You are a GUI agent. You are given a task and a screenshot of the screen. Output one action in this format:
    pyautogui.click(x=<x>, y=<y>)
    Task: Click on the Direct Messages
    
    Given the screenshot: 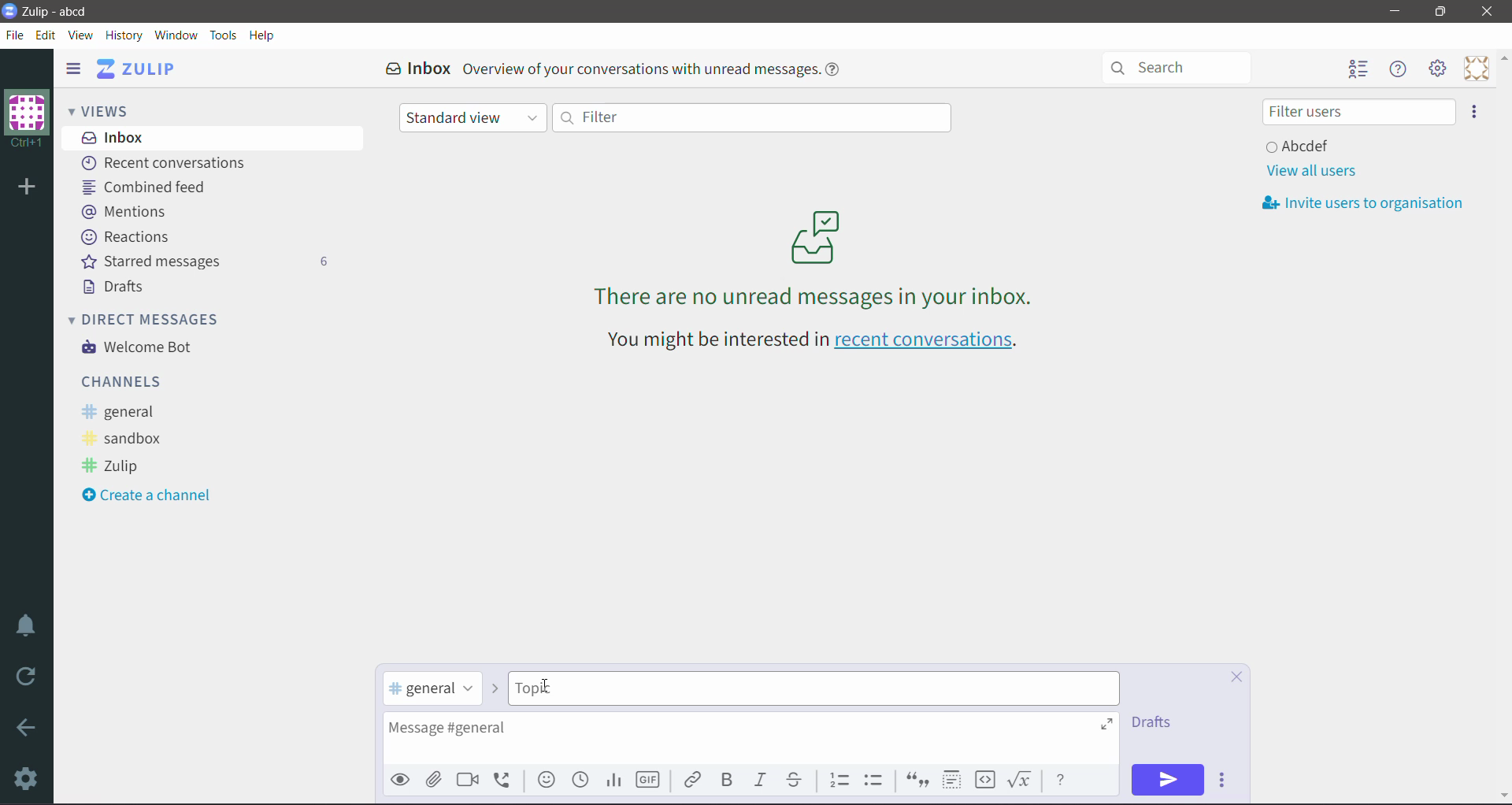 What is the action you would take?
    pyautogui.click(x=154, y=318)
    